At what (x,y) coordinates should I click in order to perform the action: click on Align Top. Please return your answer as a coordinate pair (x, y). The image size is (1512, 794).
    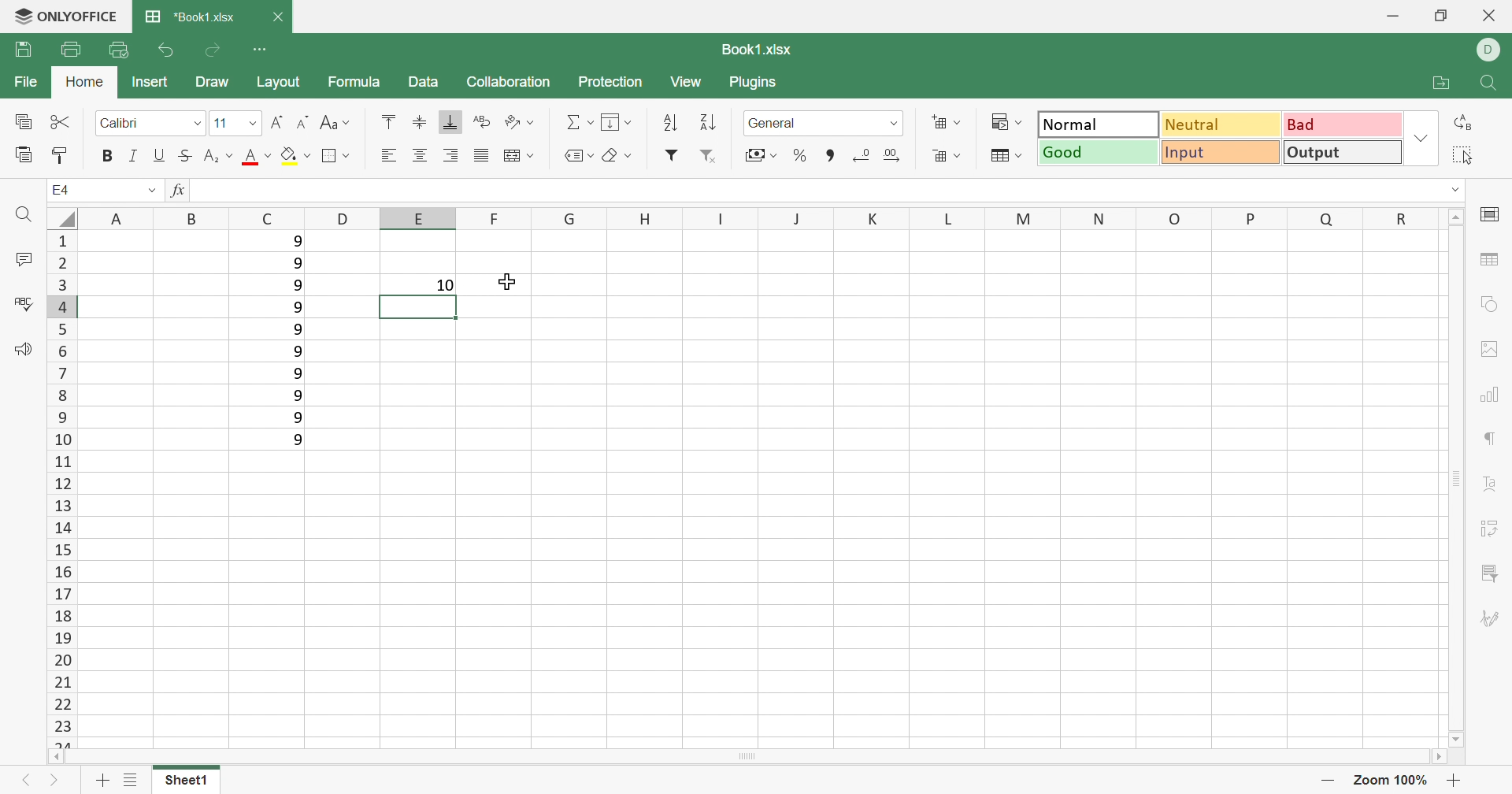
    Looking at the image, I should click on (388, 121).